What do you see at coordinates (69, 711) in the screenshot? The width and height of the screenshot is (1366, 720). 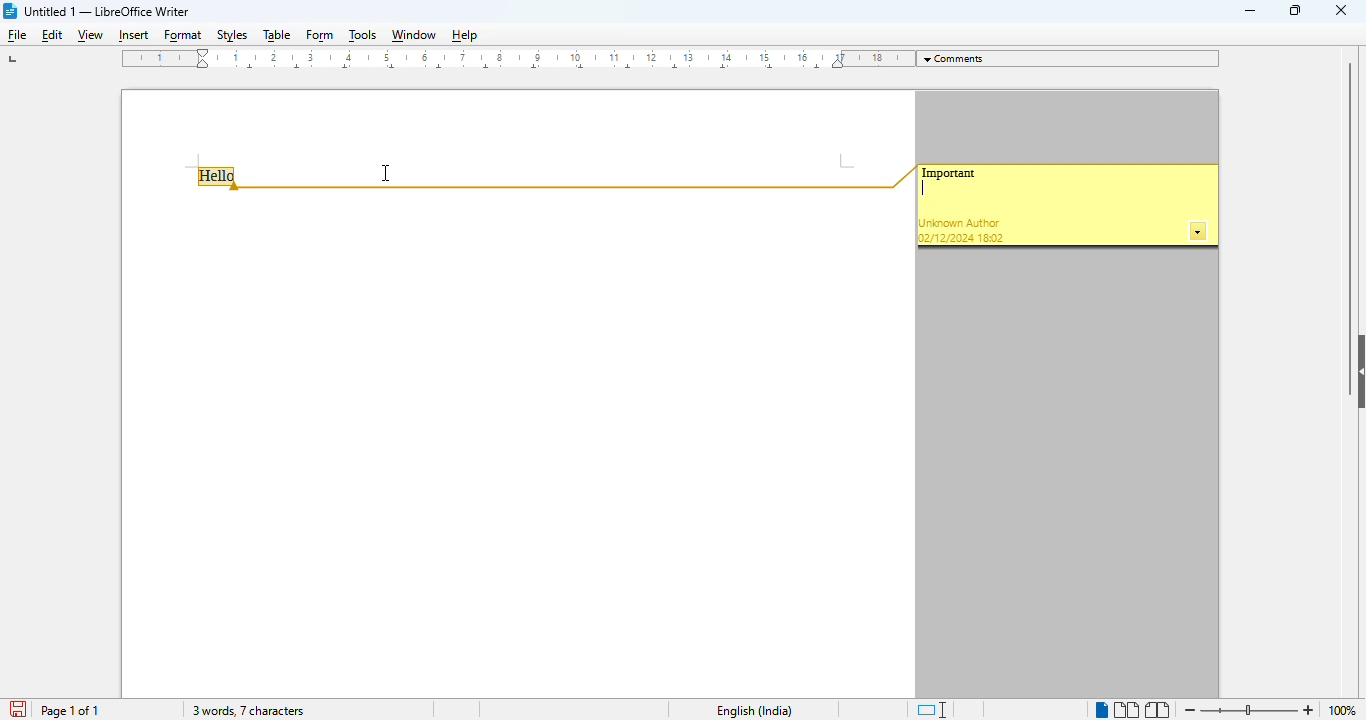 I see `page 1 of 1` at bounding box center [69, 711].